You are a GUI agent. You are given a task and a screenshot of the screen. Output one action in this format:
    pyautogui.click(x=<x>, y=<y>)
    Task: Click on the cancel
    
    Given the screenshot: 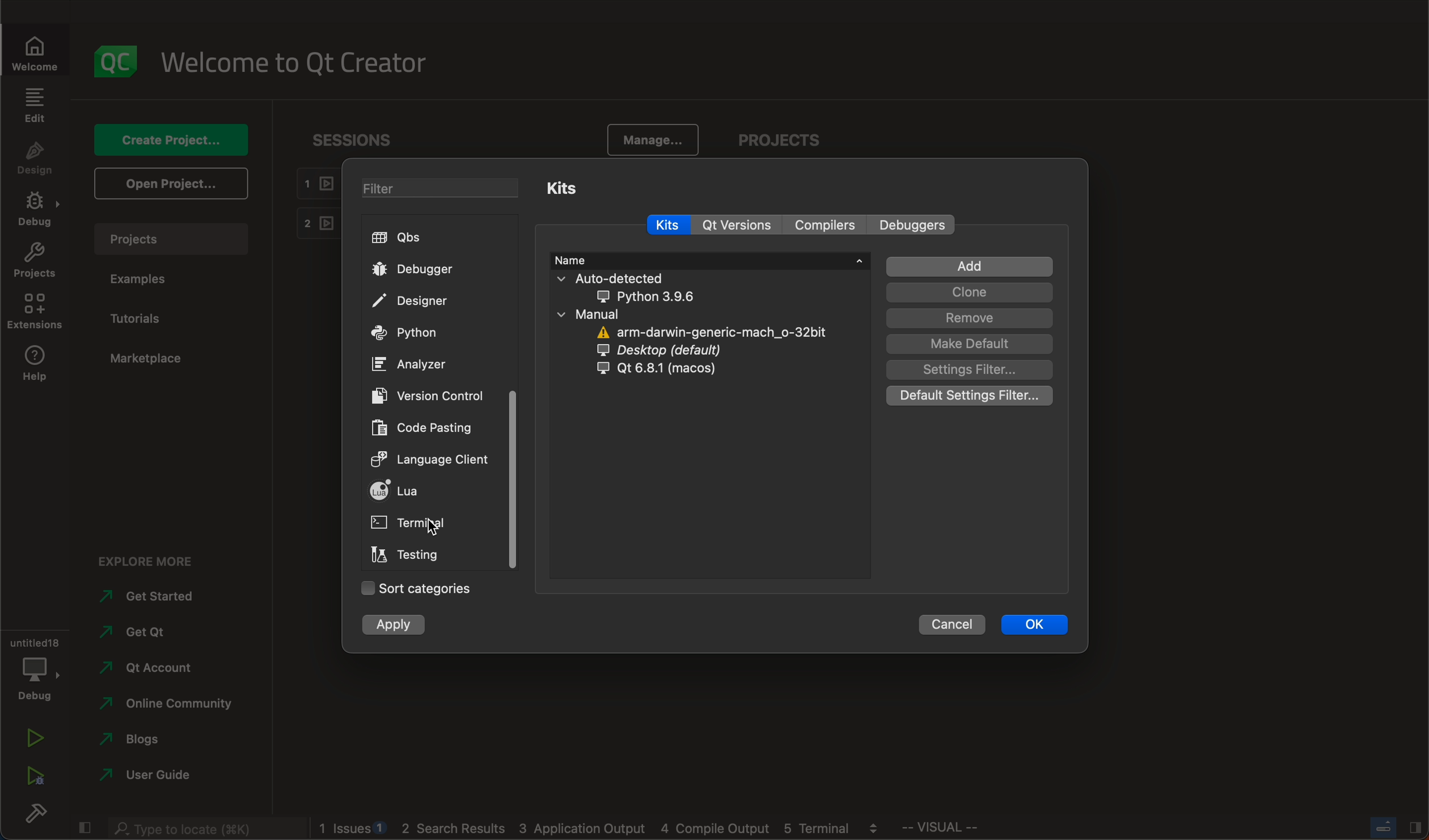 What is the action you would take?
    pyautogui.click(x=950, y=623)
    